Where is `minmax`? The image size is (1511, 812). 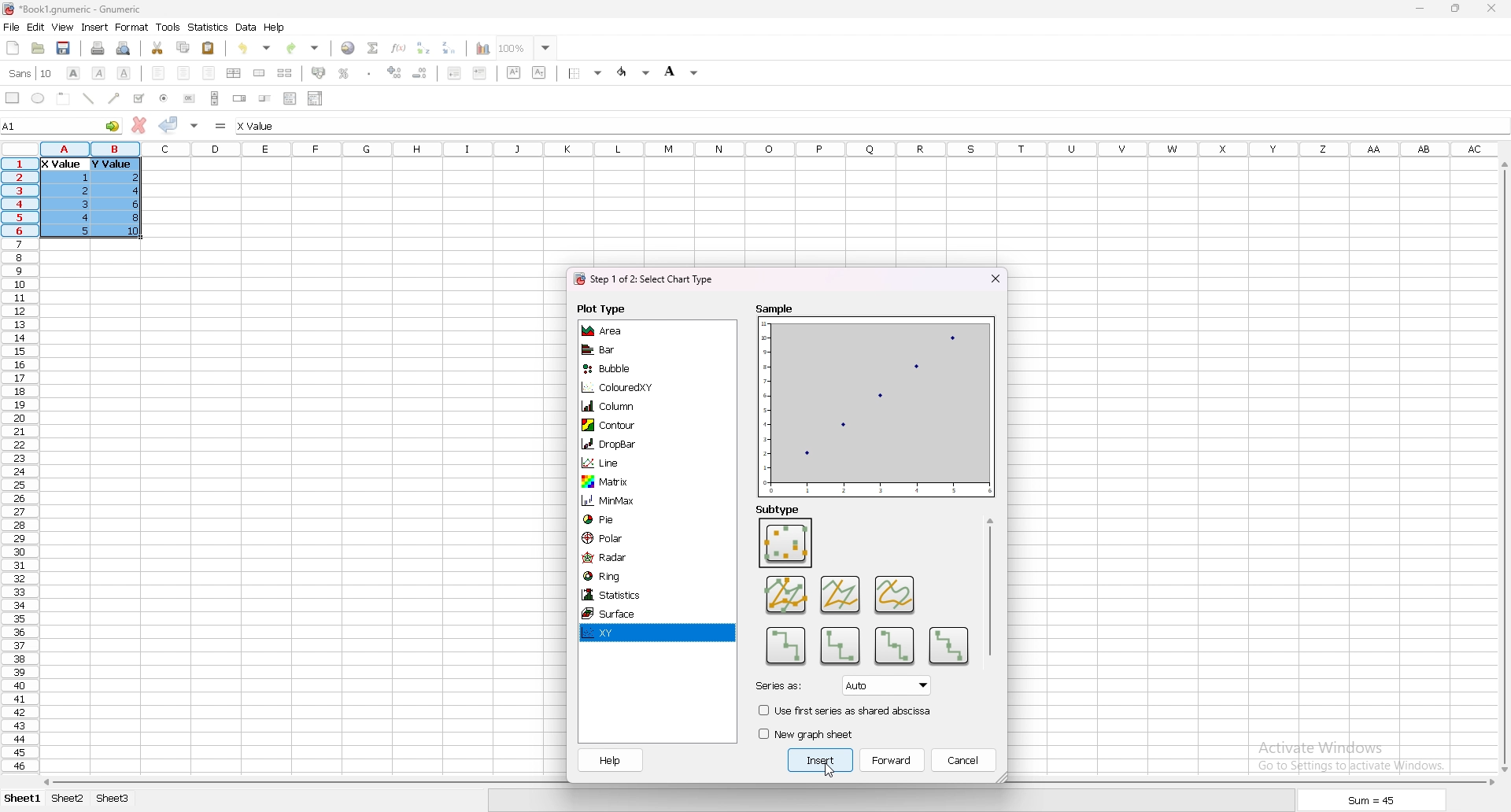 minmax is located at coordinates (629, 502).